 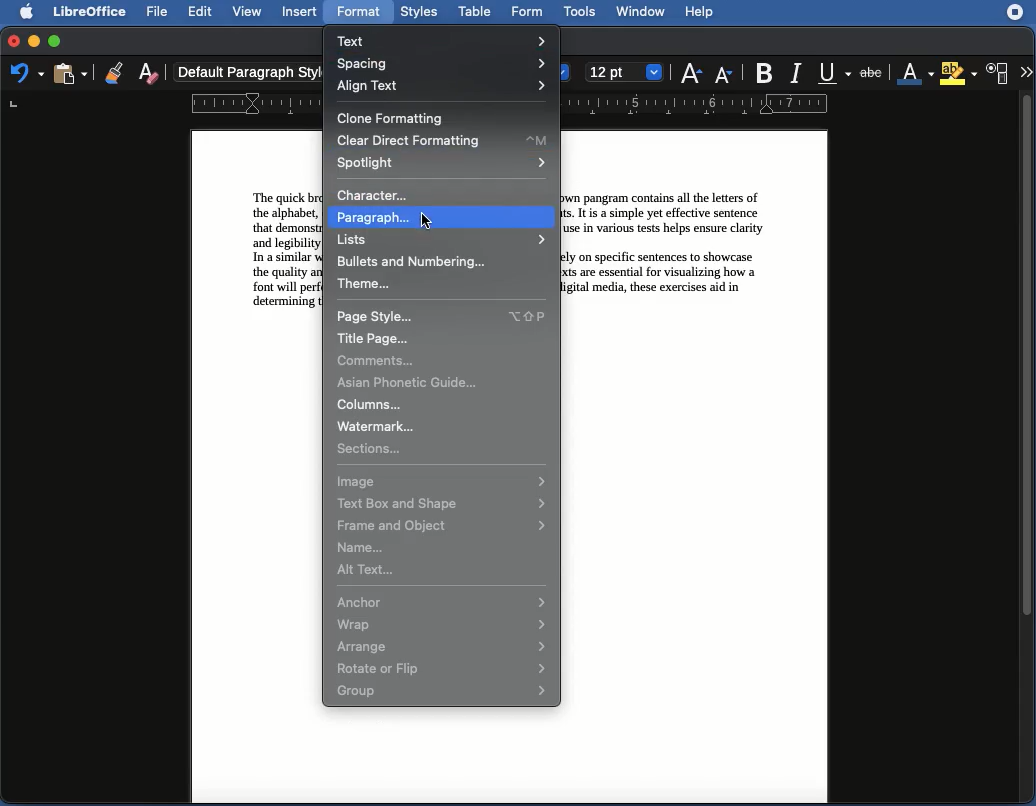 What do you see at coordinates (690, 71) in the screenshot?
I see `font size increase` at bounding box center [690, 71].